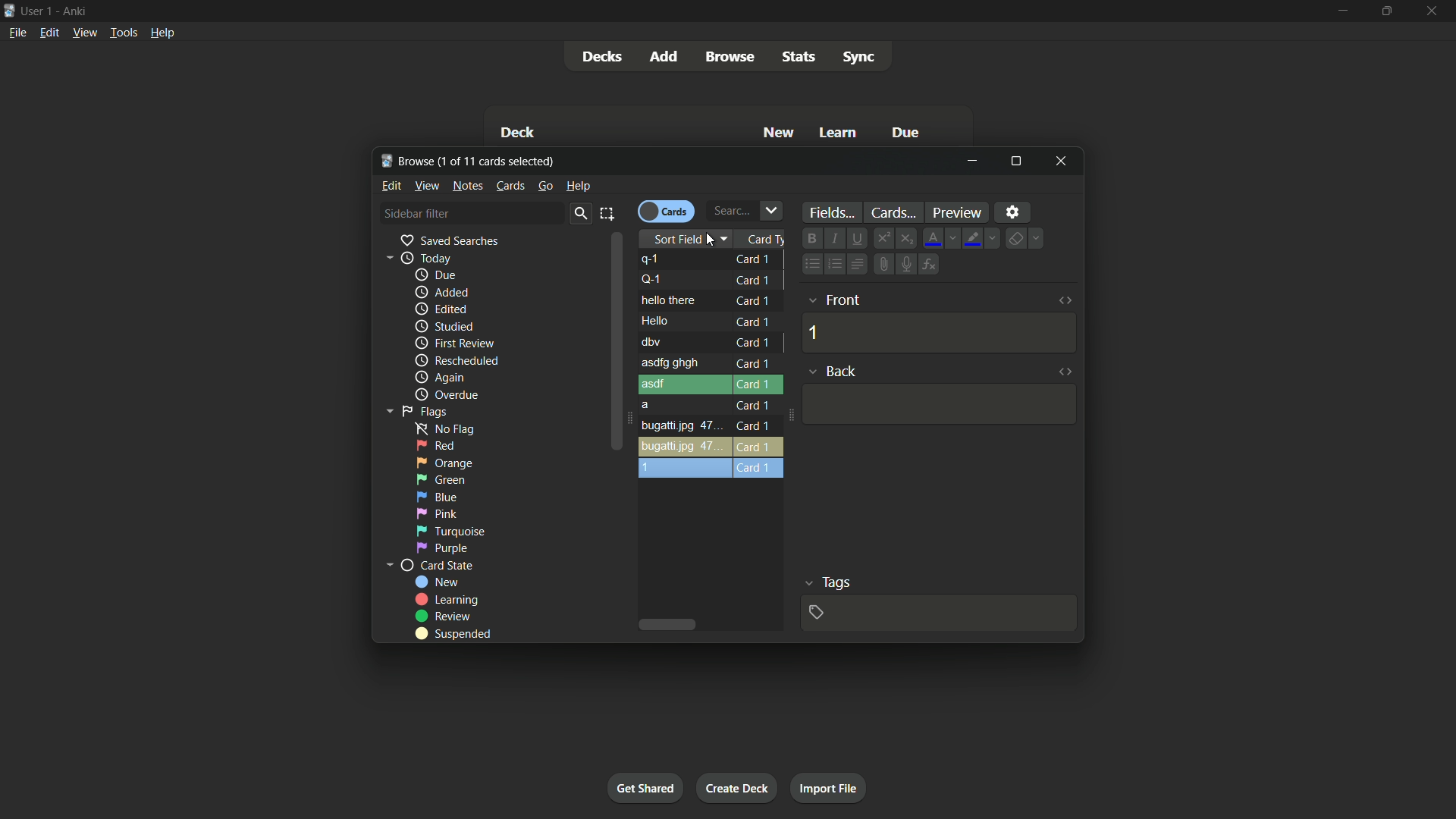 The image size is (1456, 819). I want to click on file menu, so click(17, 32).